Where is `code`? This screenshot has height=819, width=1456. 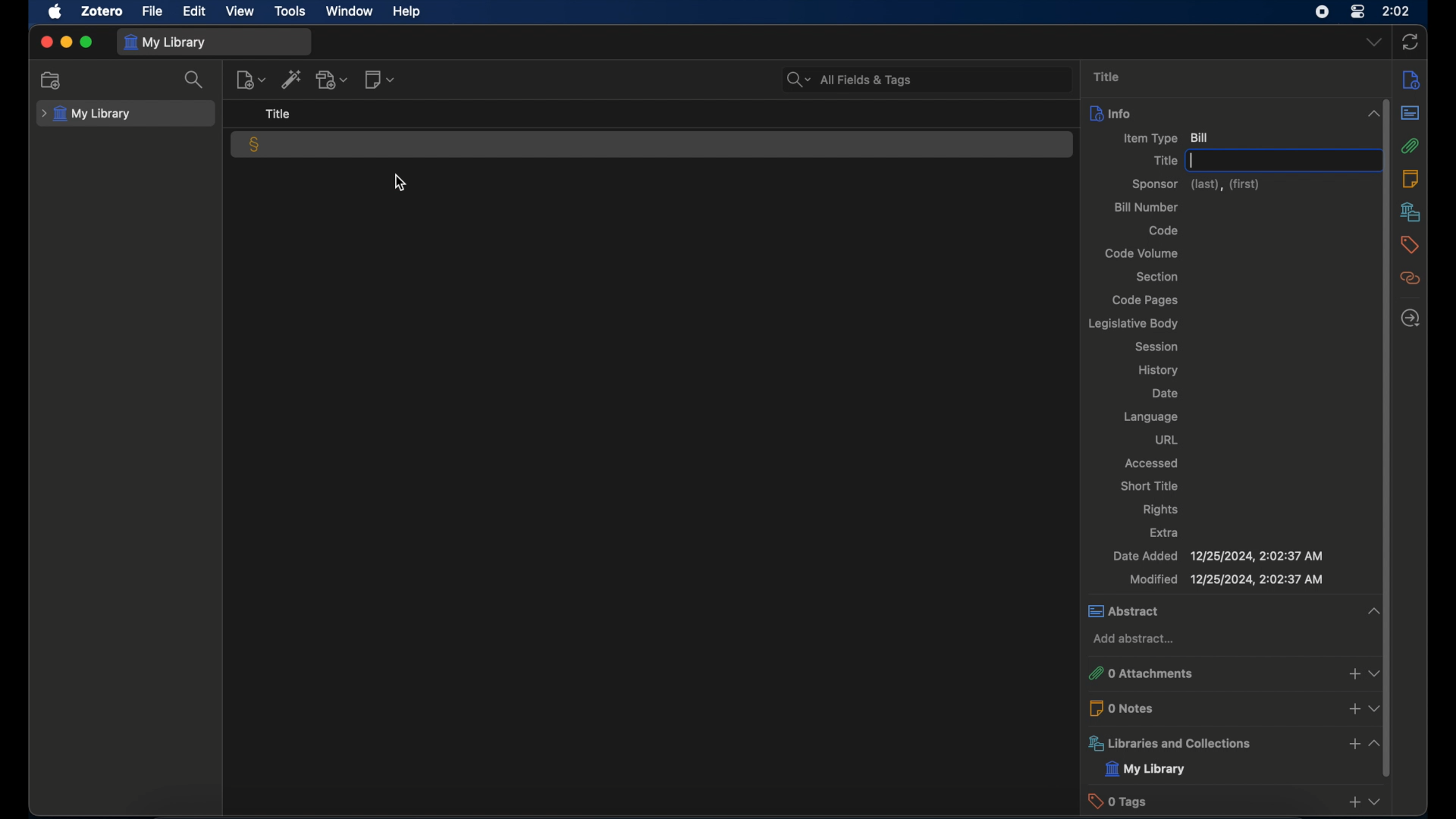 code is located at coordinates (1164, 230).